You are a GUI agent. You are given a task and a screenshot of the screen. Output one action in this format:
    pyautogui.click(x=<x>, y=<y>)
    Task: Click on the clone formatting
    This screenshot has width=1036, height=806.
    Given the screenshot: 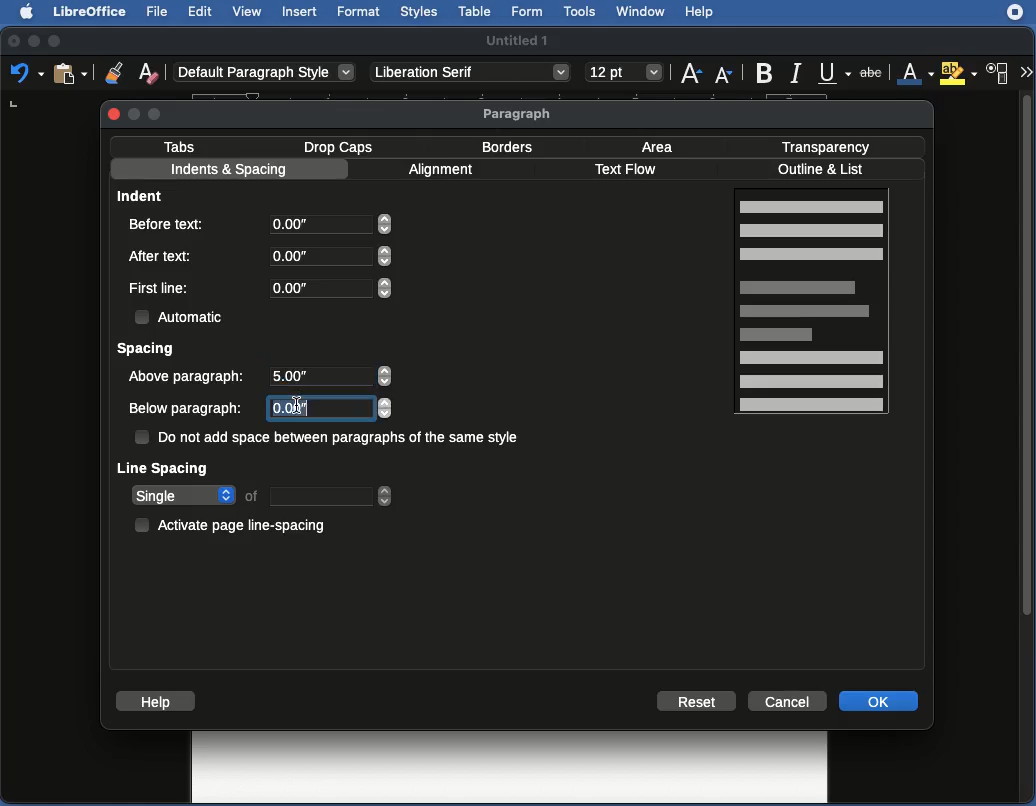 What is the action you would take?
    pyautogui.click(x=108, y=72)
    